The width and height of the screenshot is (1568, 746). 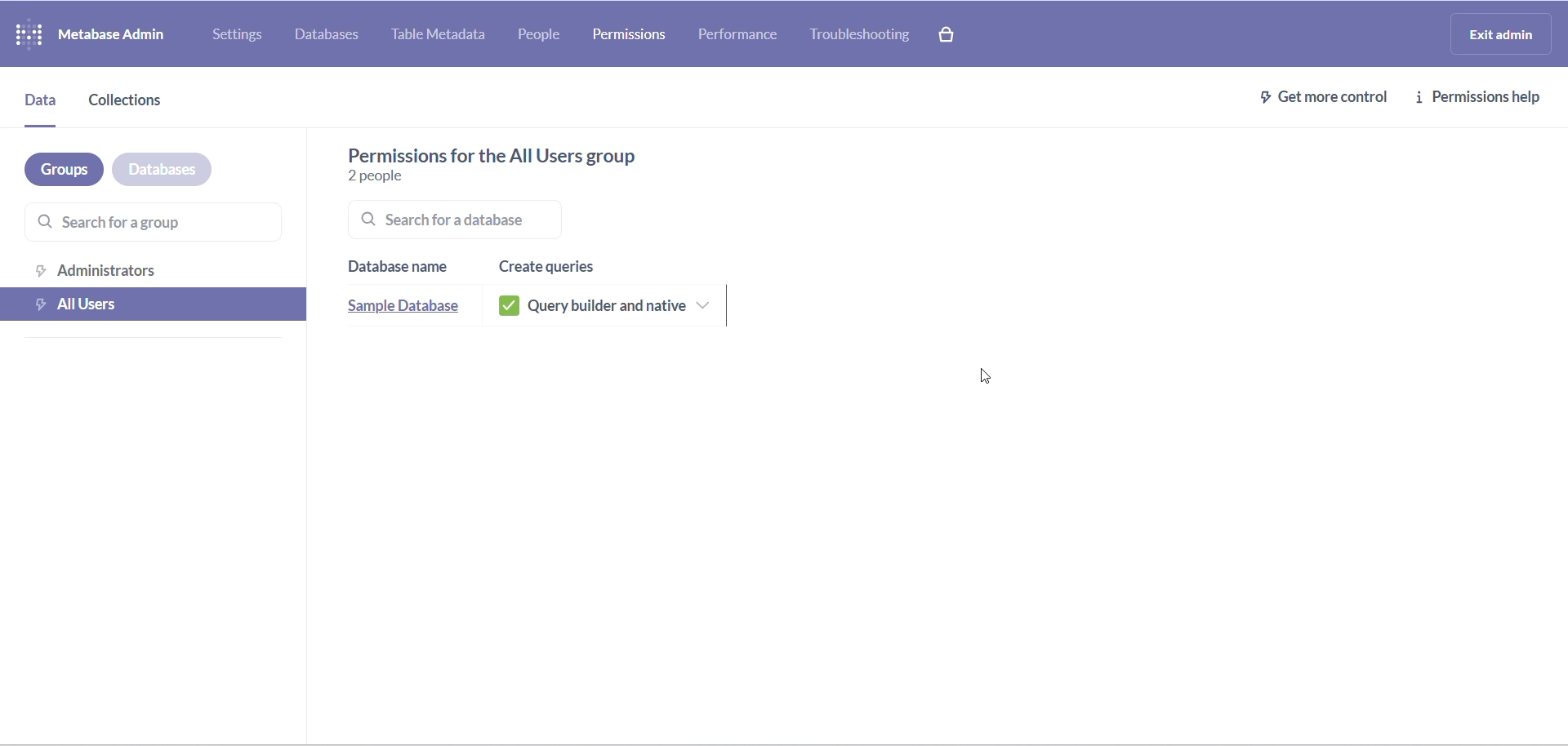 What do you see at coordinates (739, 33) in the screenshot?
I see `performance` at bounding box center [739, 33].